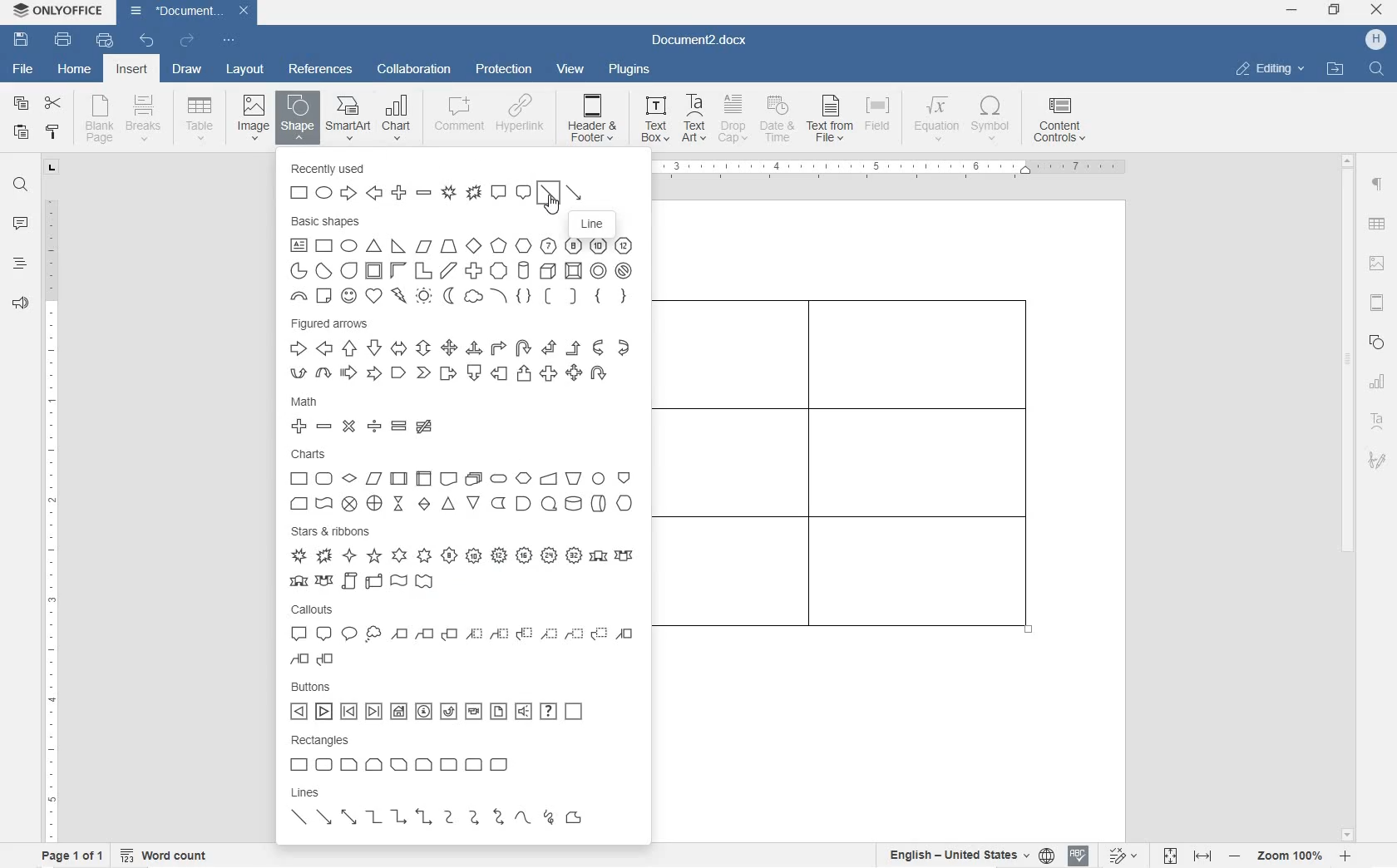 The width and height of the screenshot is (1397, 868). I want to click on copy style, so click(53, 132).